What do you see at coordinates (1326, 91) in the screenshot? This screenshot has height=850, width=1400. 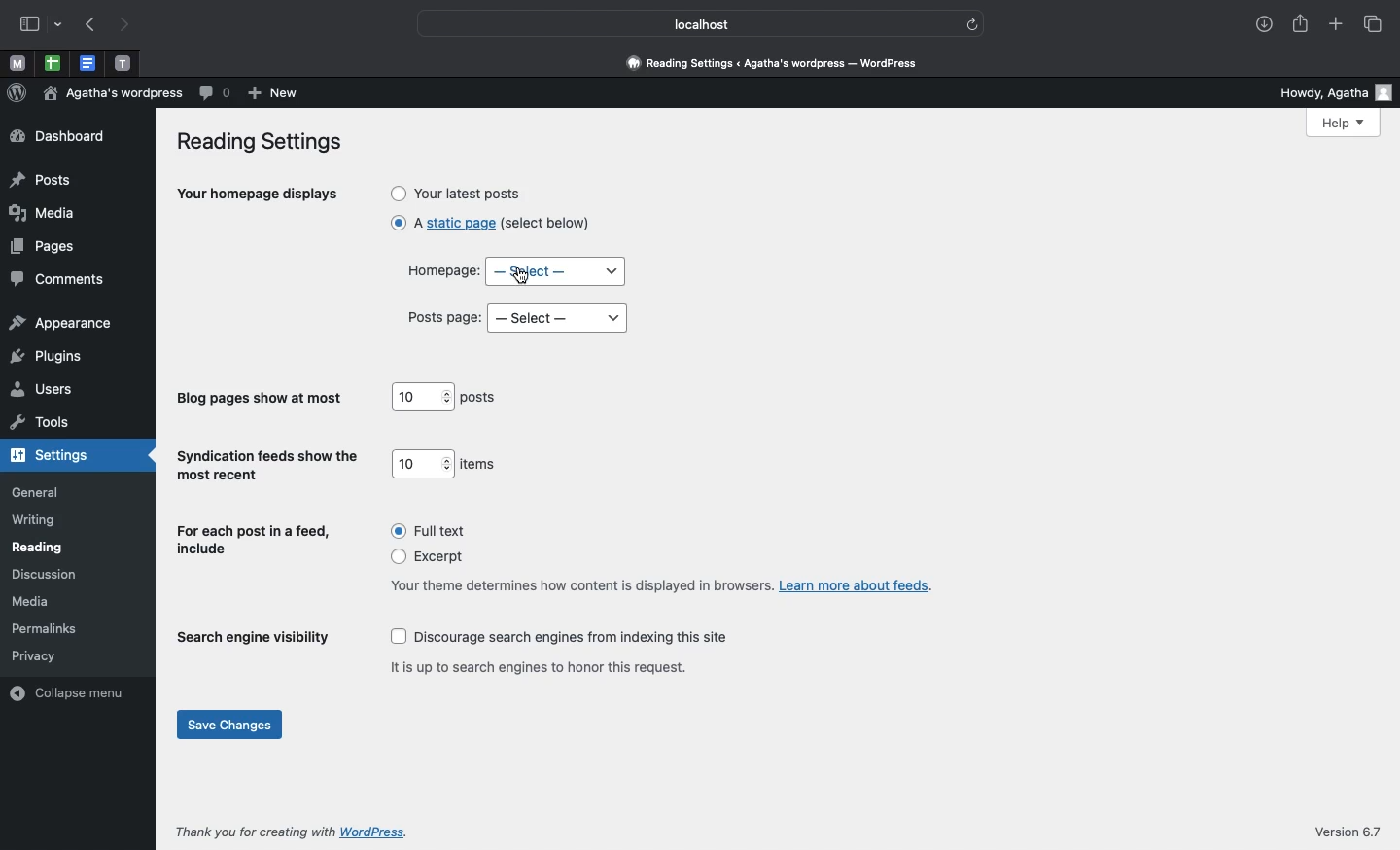 I see `Howdy user` at bounding box center [1326, 91].